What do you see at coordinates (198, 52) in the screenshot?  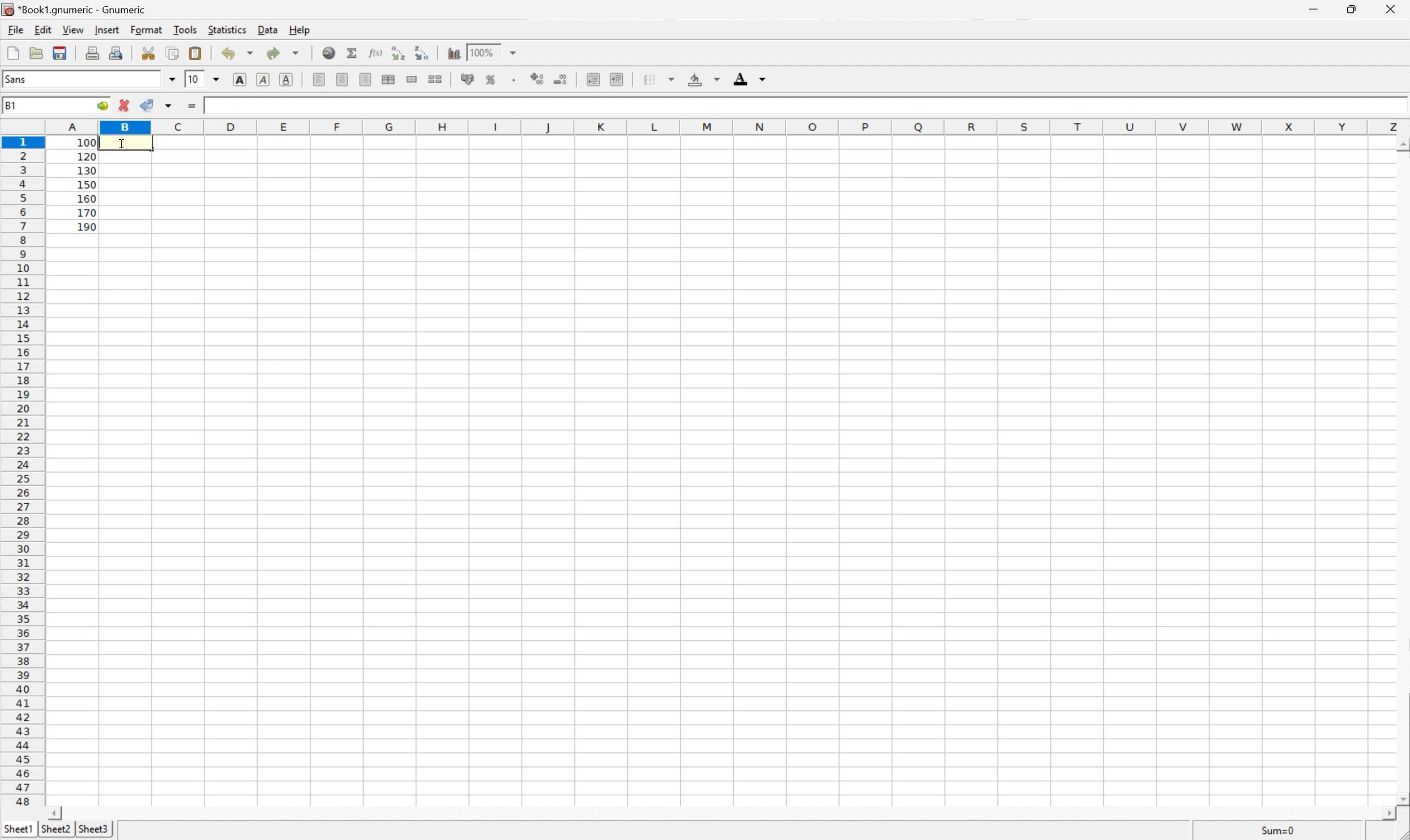 I see `Paste the clipboard` at bounding box center [198, 52].